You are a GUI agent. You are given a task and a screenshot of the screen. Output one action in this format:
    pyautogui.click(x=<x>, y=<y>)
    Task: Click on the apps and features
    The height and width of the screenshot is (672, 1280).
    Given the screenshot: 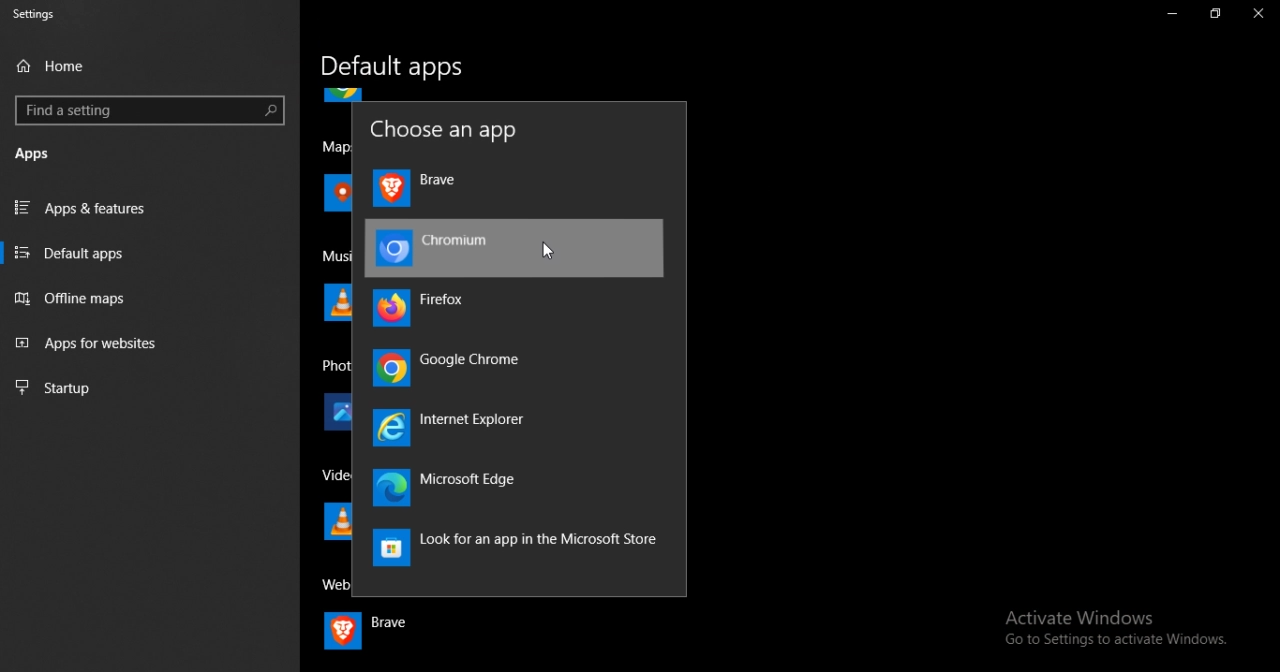 What is the action you would take?
    pyautogui.click(x=148, y=208)
    